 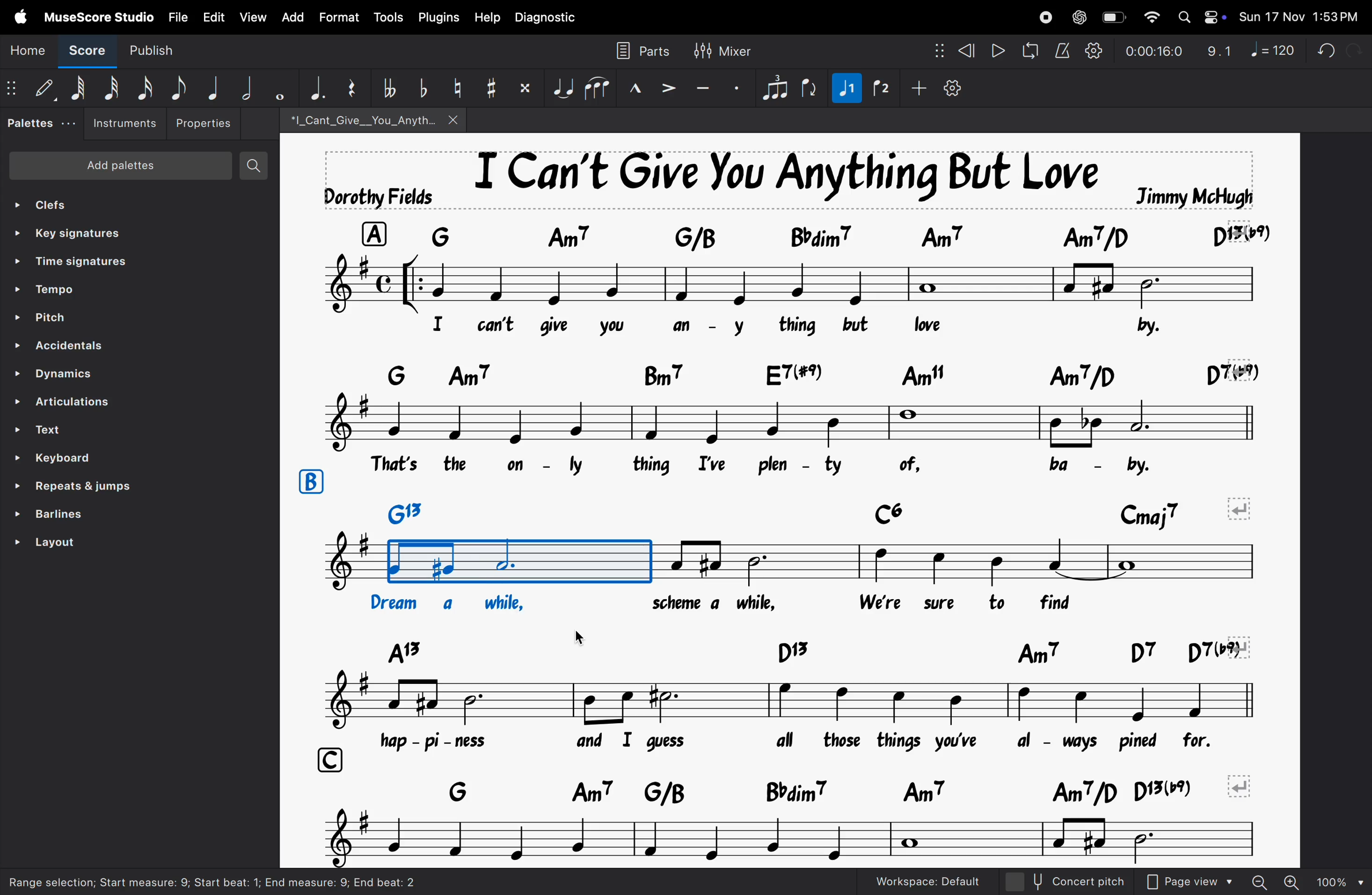 What do you see at coordinates (880, 88) in the screenshot?
I see `rythym 2` at bounding box center [880, 88].